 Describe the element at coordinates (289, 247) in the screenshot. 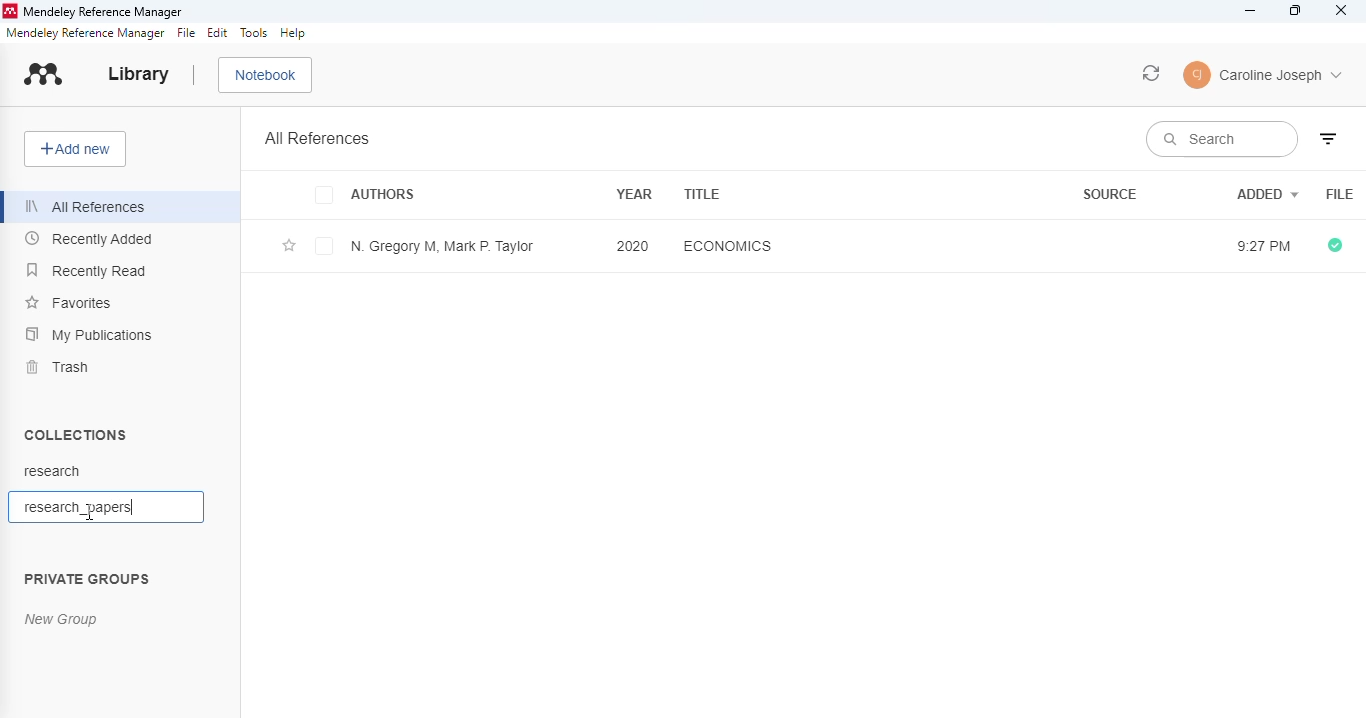

I see `add this reference to favorites` at that location.